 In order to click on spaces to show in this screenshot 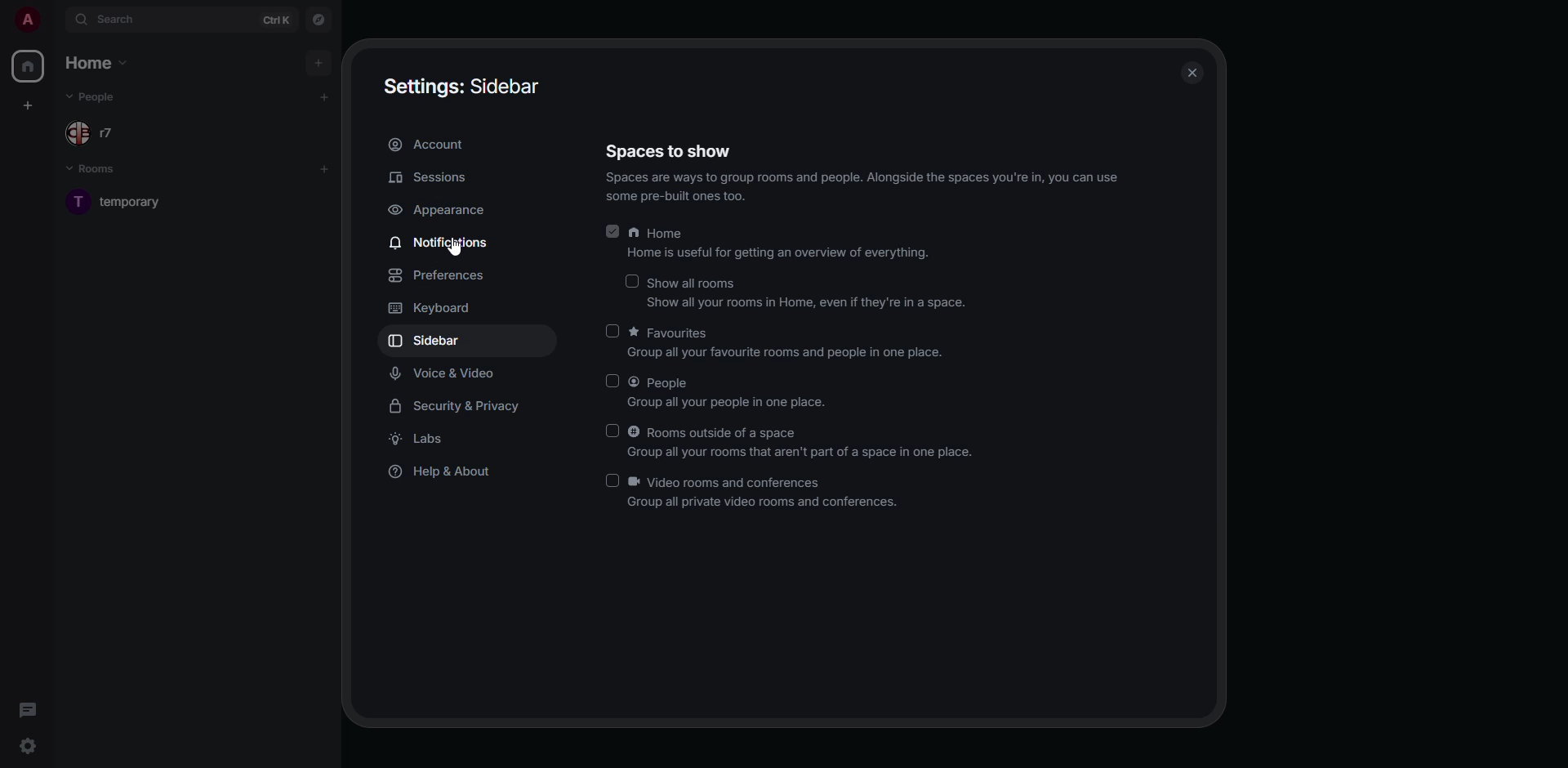, I will do `click(670, 149)`.